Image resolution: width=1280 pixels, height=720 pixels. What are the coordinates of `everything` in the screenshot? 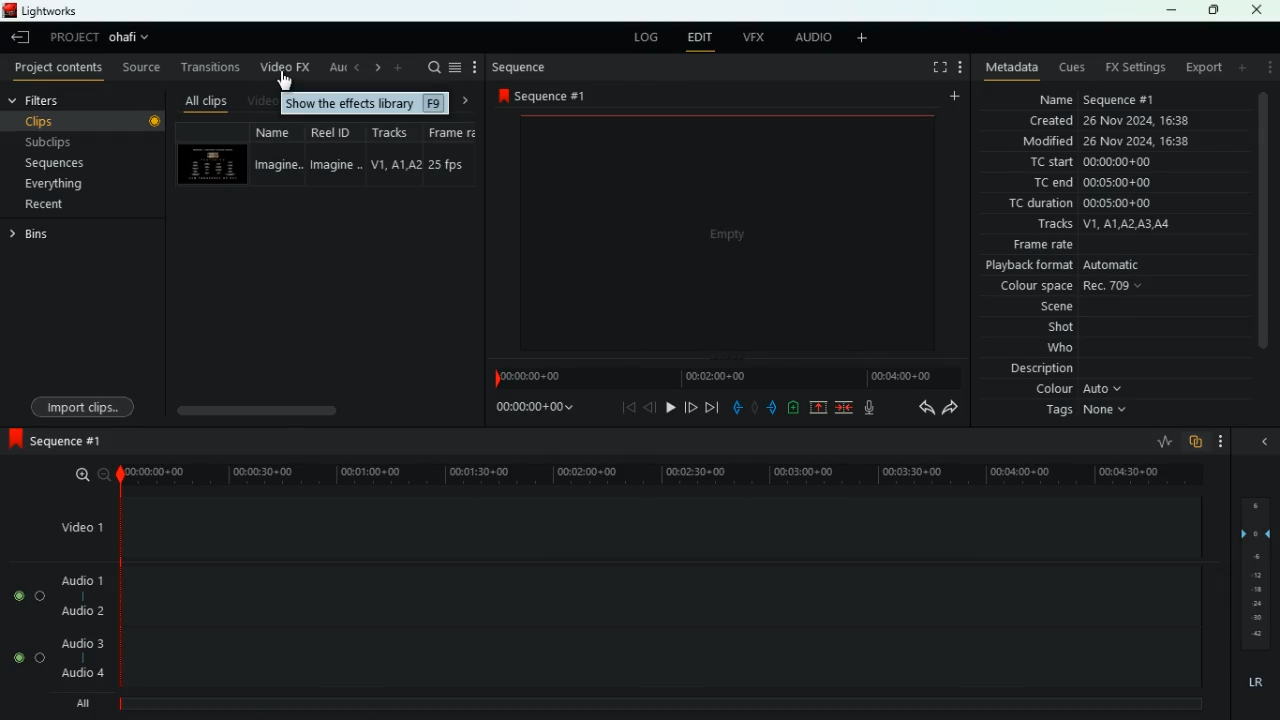 It's located at (62, 183).